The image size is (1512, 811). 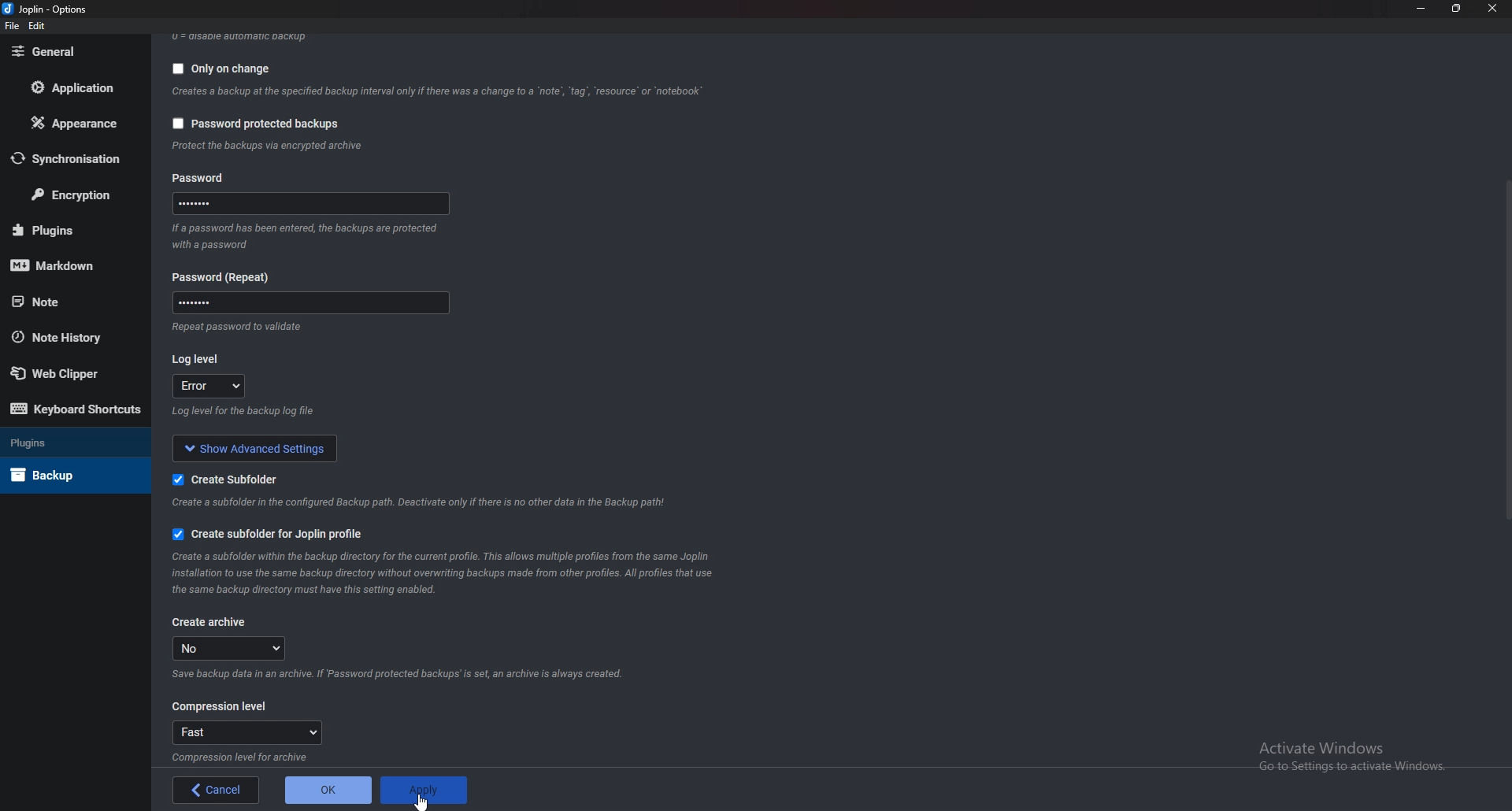 I want to click on Password, so click(x=307, y=306).